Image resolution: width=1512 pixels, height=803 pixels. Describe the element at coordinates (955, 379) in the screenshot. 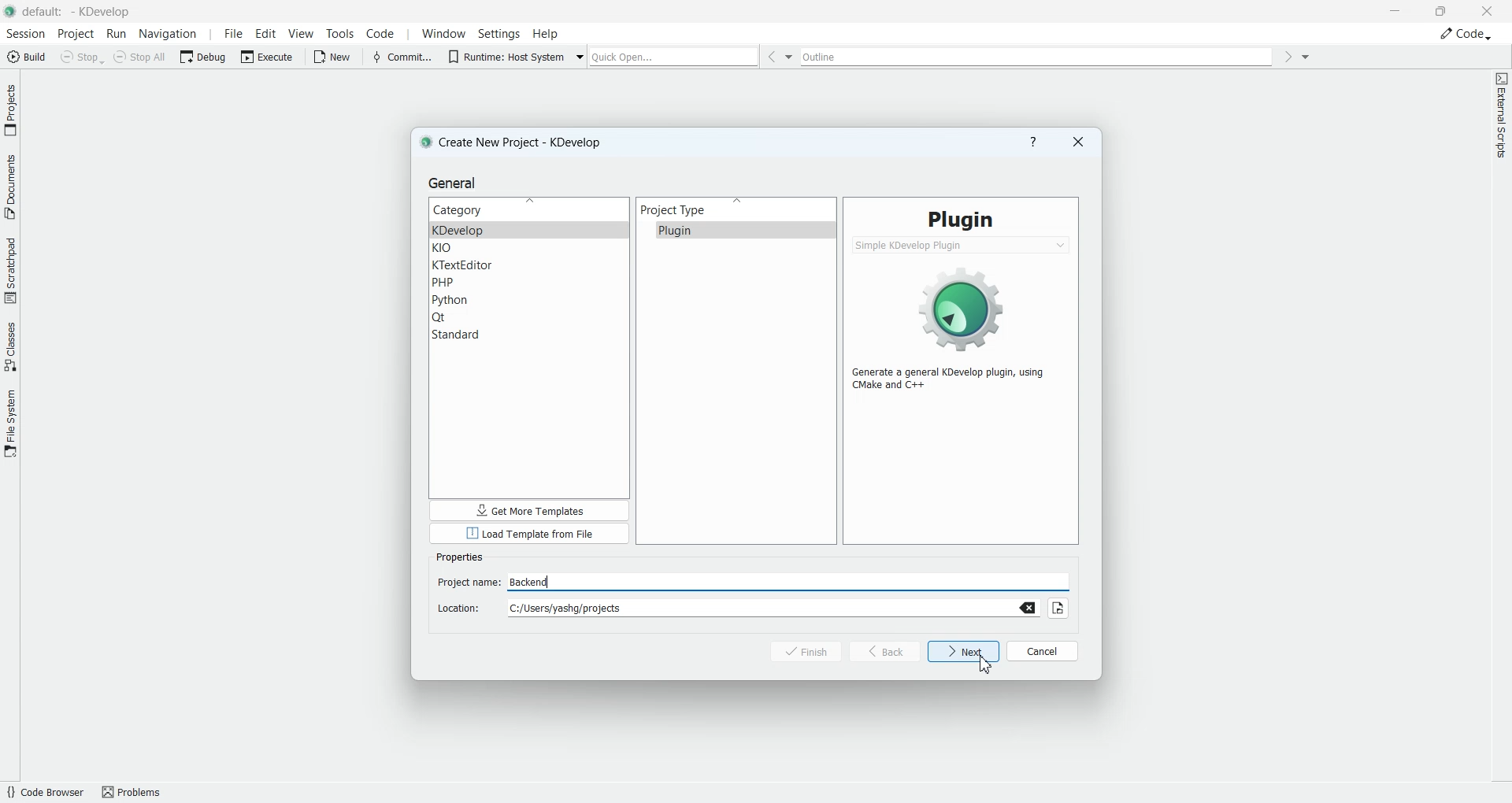

I see `Text` at that location.